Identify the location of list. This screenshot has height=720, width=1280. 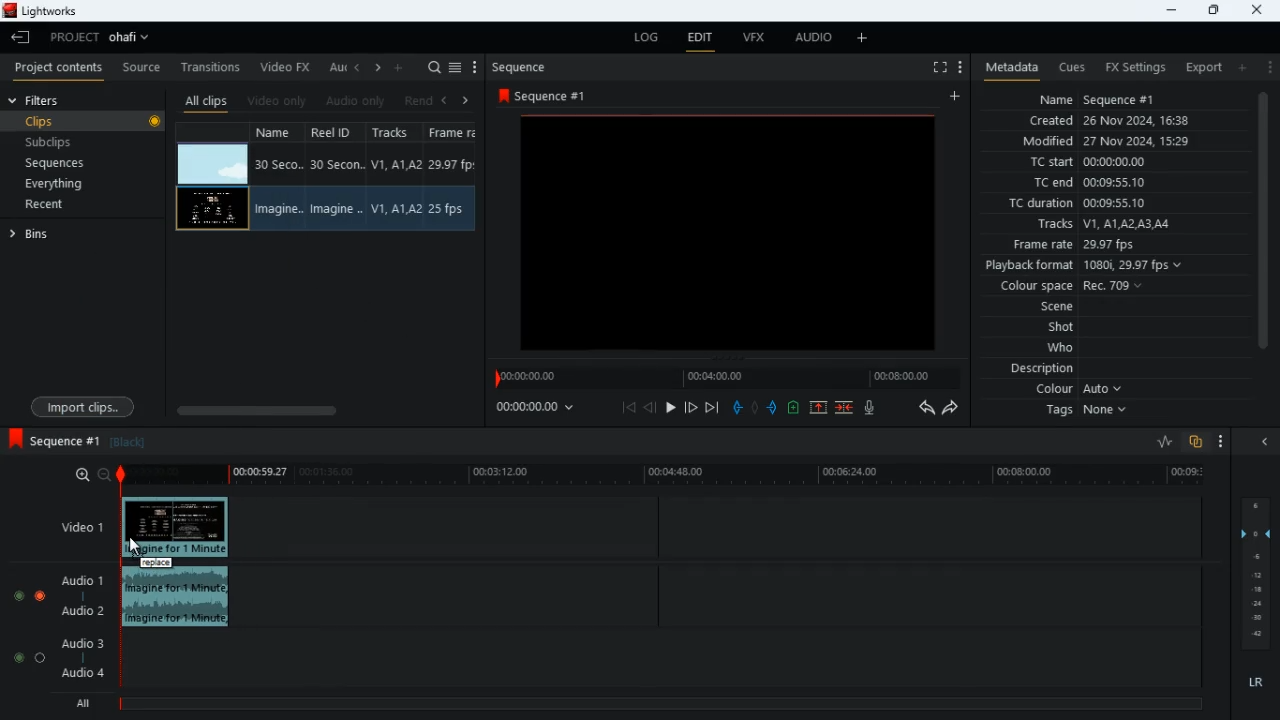
(455, 68).